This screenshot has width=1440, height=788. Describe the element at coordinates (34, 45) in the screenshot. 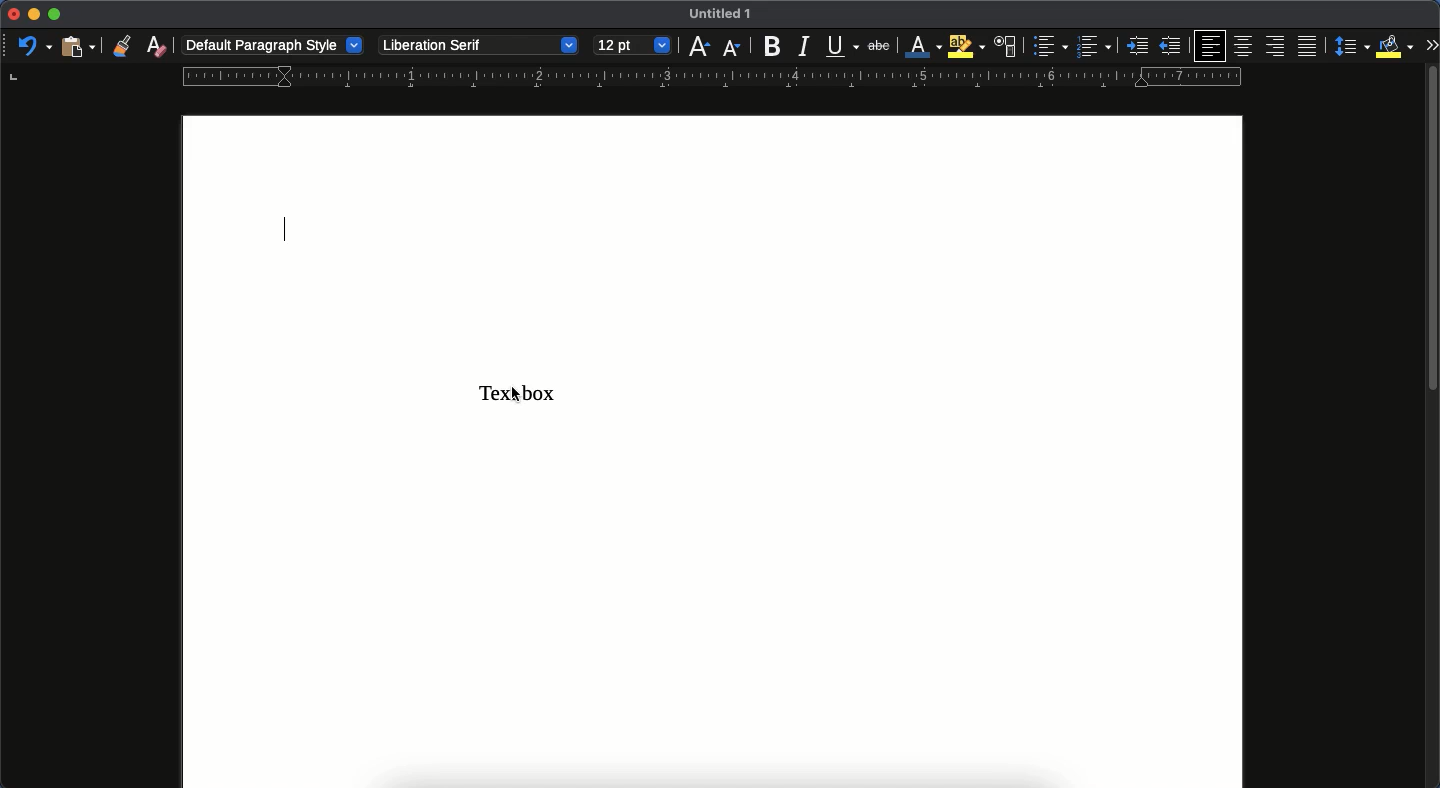

I see `undo` at that location.